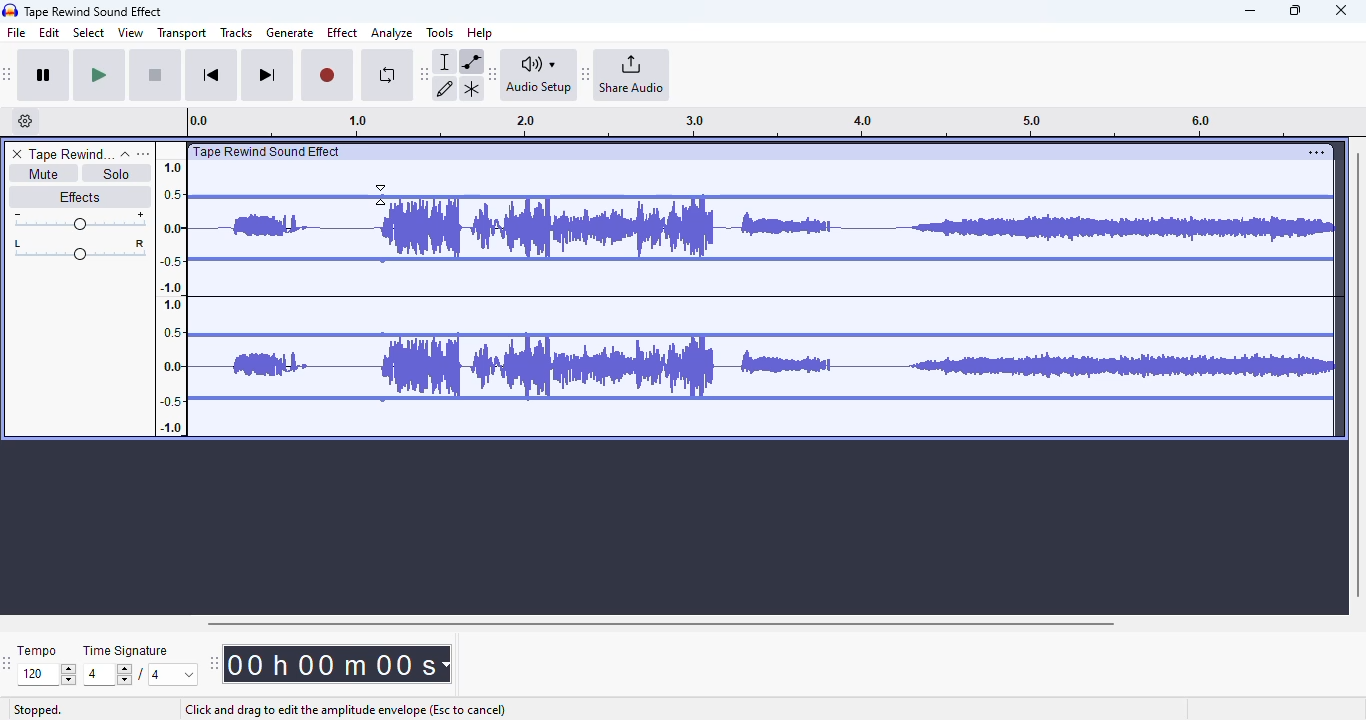 This screenshot has width=1366, height=720. I want to click on help, so click(480, 32).